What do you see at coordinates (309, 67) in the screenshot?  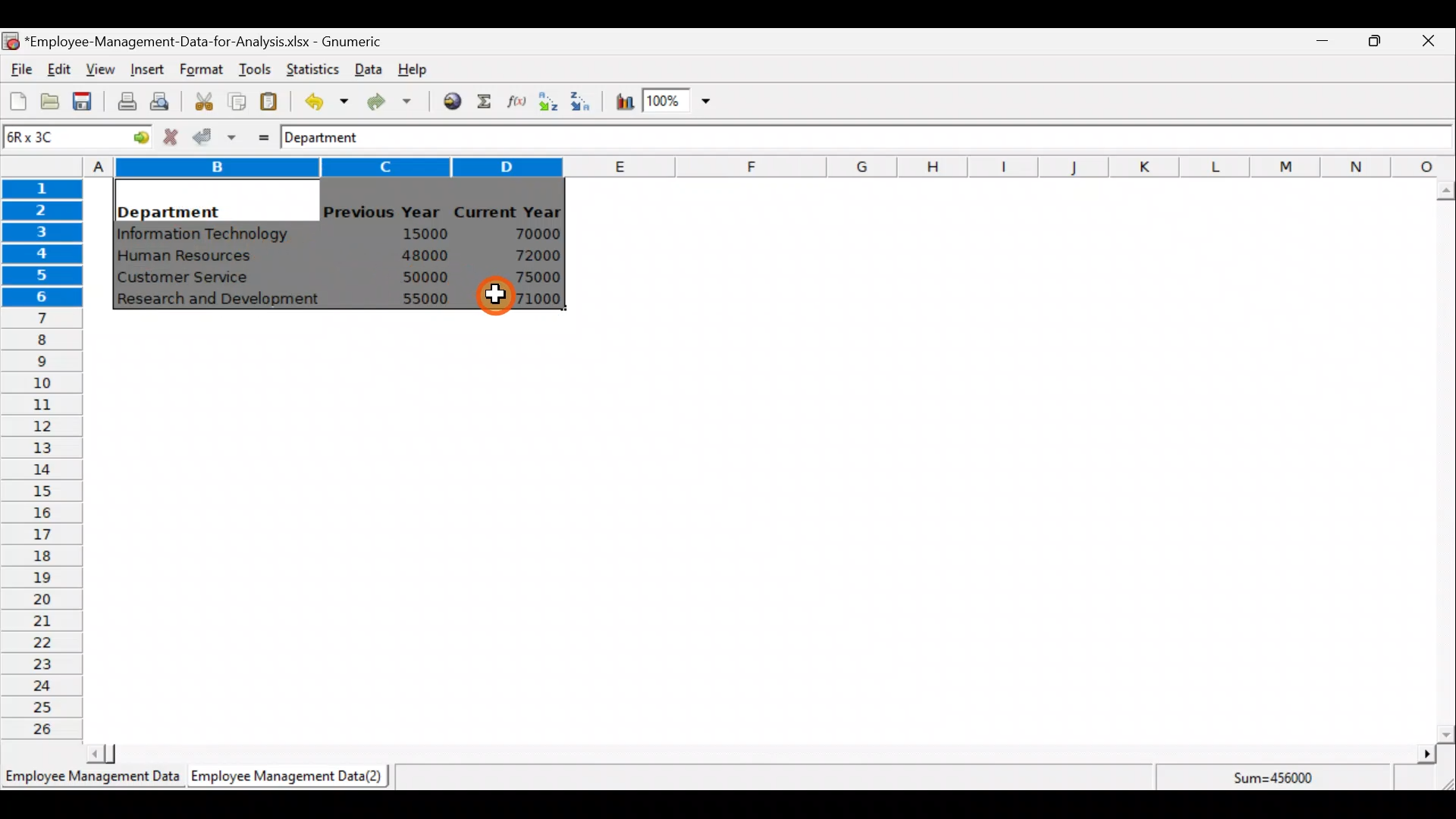 I see `Statistics` at bounding box center [309, 67].